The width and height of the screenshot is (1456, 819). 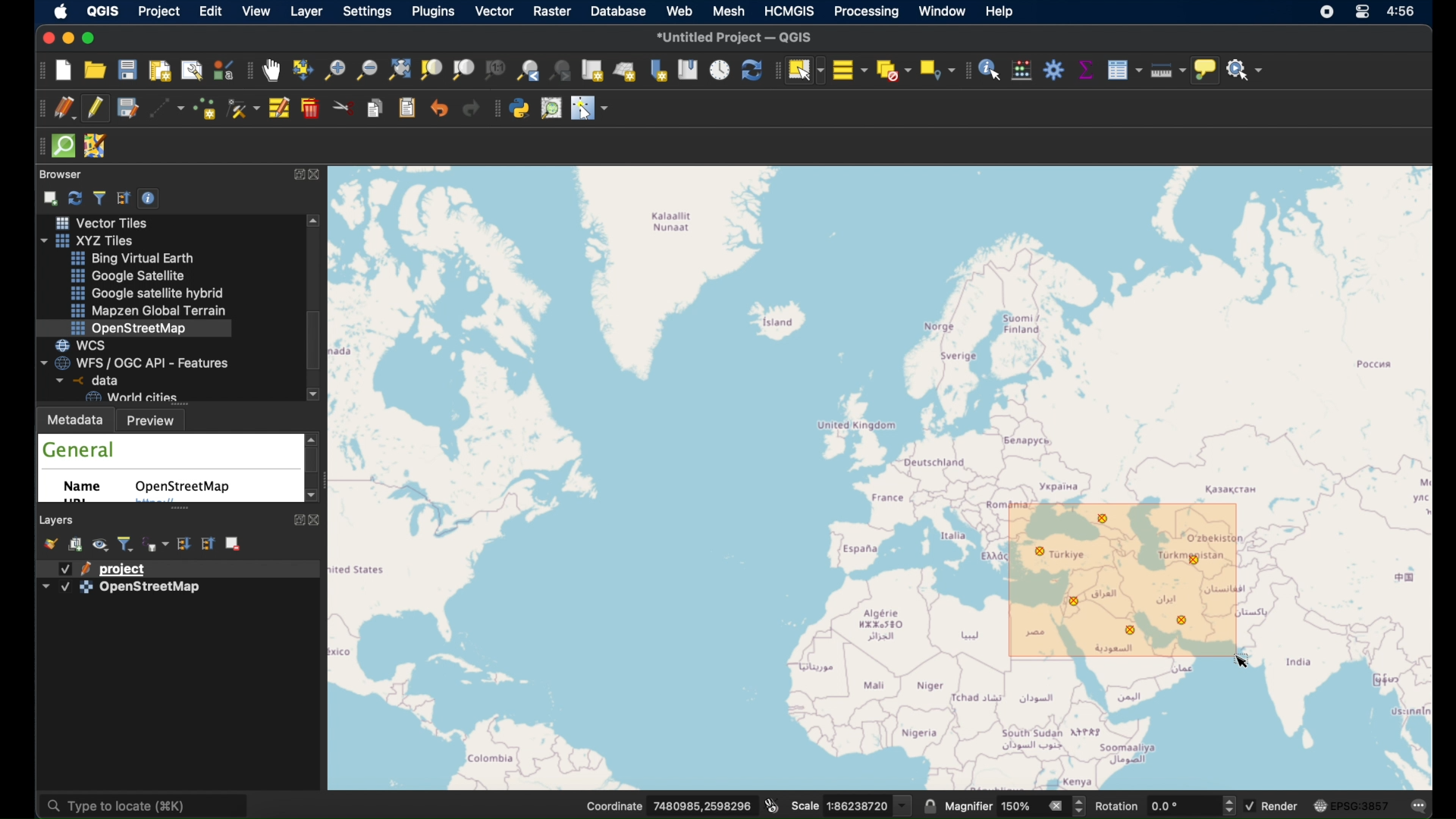 I want to click on new map view, so click(x=593, y=71).